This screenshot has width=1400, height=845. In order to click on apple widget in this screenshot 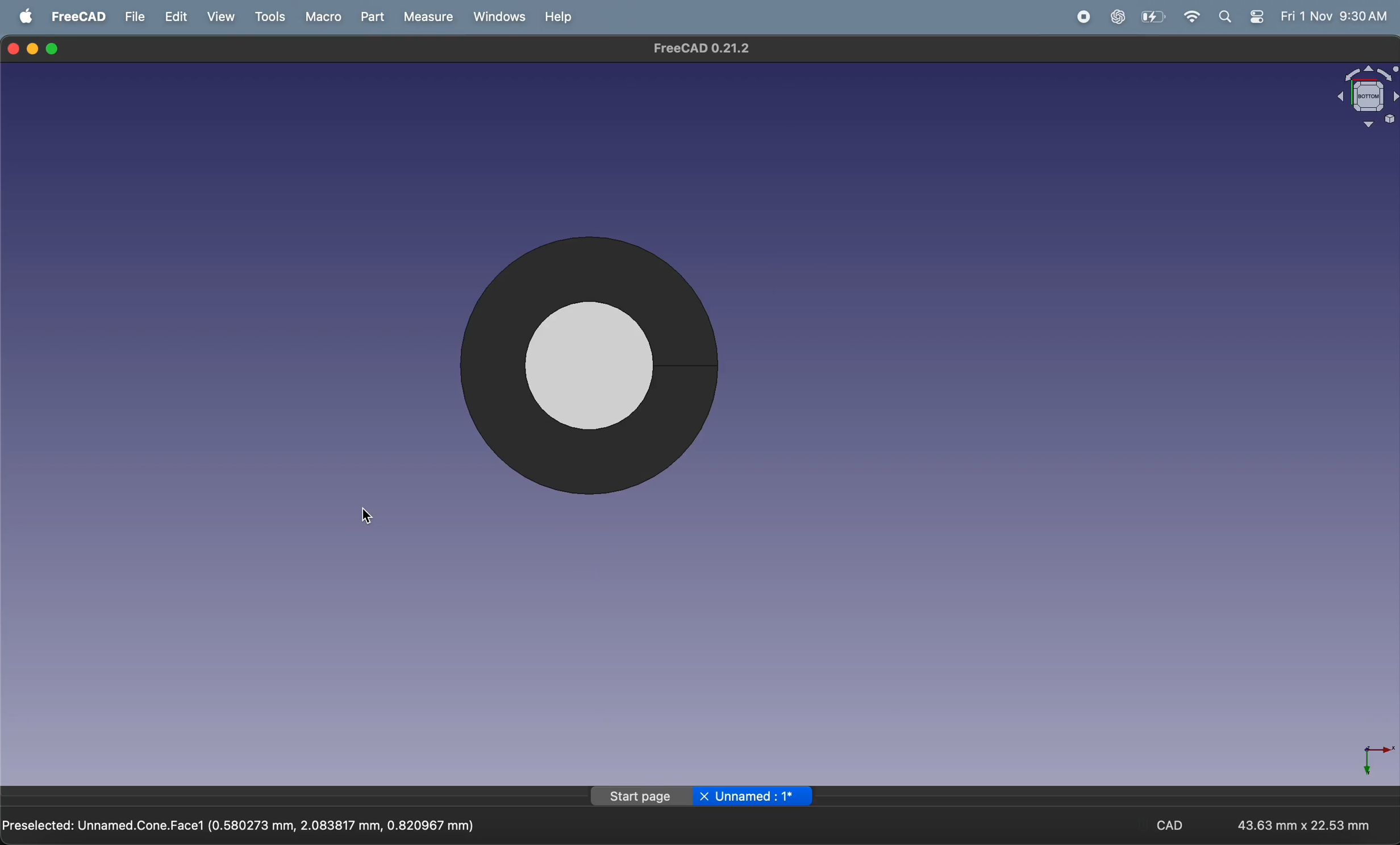, I will do `click(1259, 16)`.